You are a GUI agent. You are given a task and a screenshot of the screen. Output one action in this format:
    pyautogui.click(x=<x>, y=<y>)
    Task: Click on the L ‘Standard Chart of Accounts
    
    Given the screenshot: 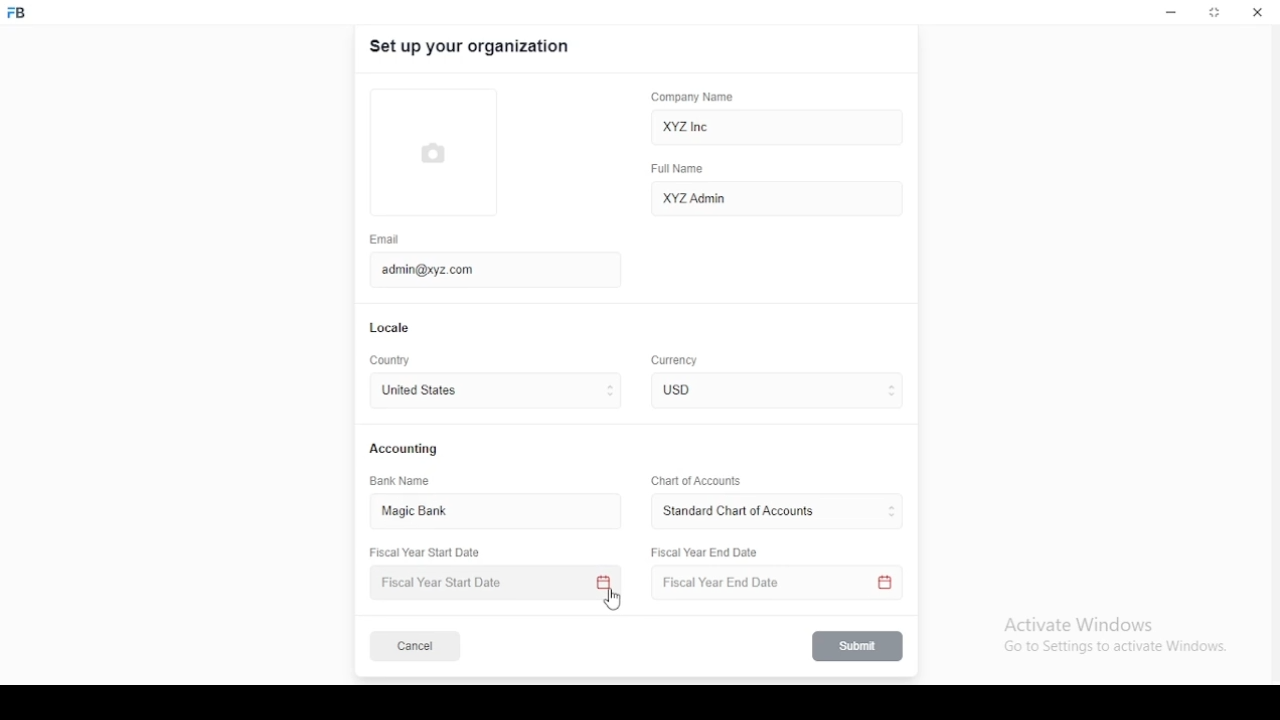 What is the action you would take?
    pyautogui.click(x=737, y=512)
    